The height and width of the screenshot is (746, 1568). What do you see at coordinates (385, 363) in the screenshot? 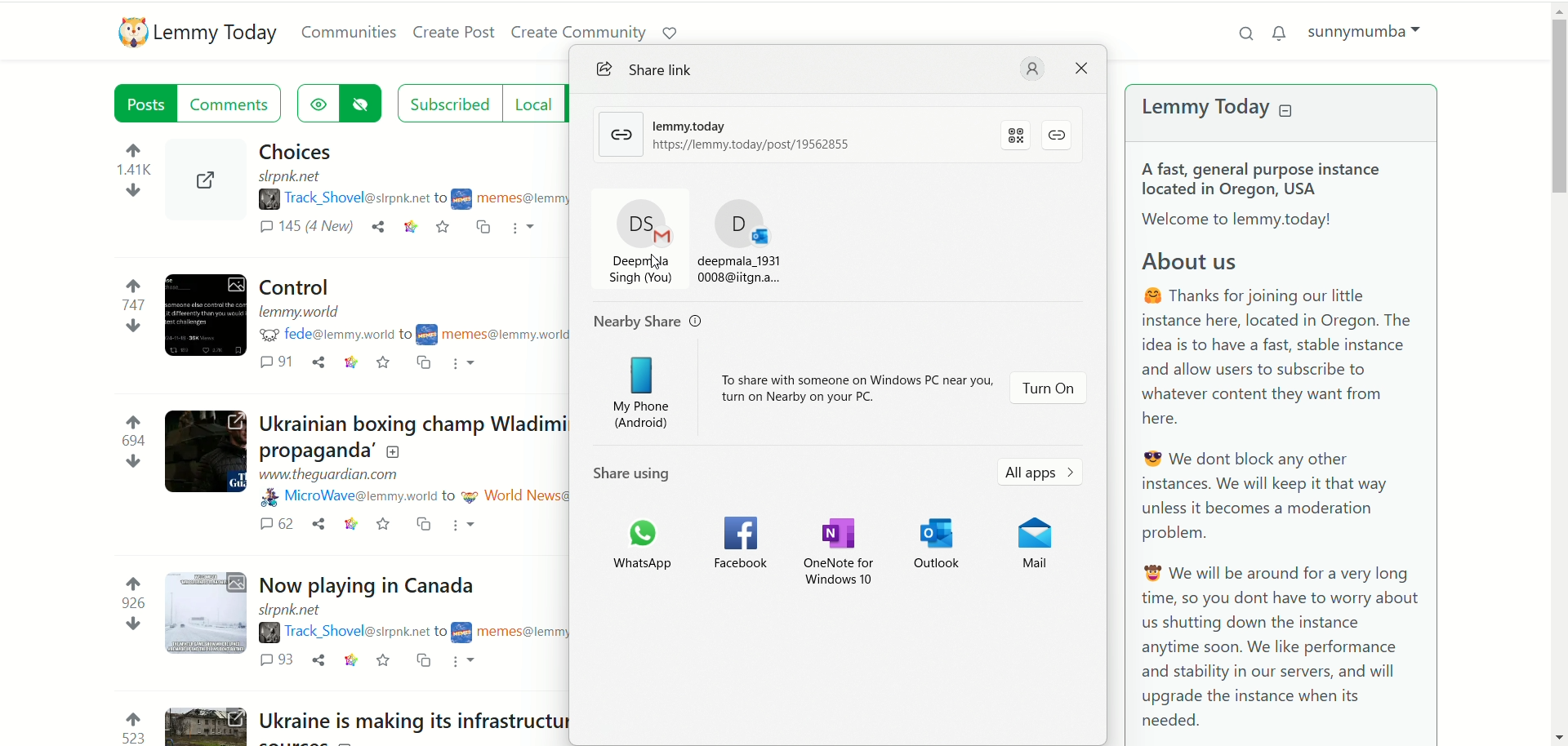
I see `save` at bounding box center [385, 363].